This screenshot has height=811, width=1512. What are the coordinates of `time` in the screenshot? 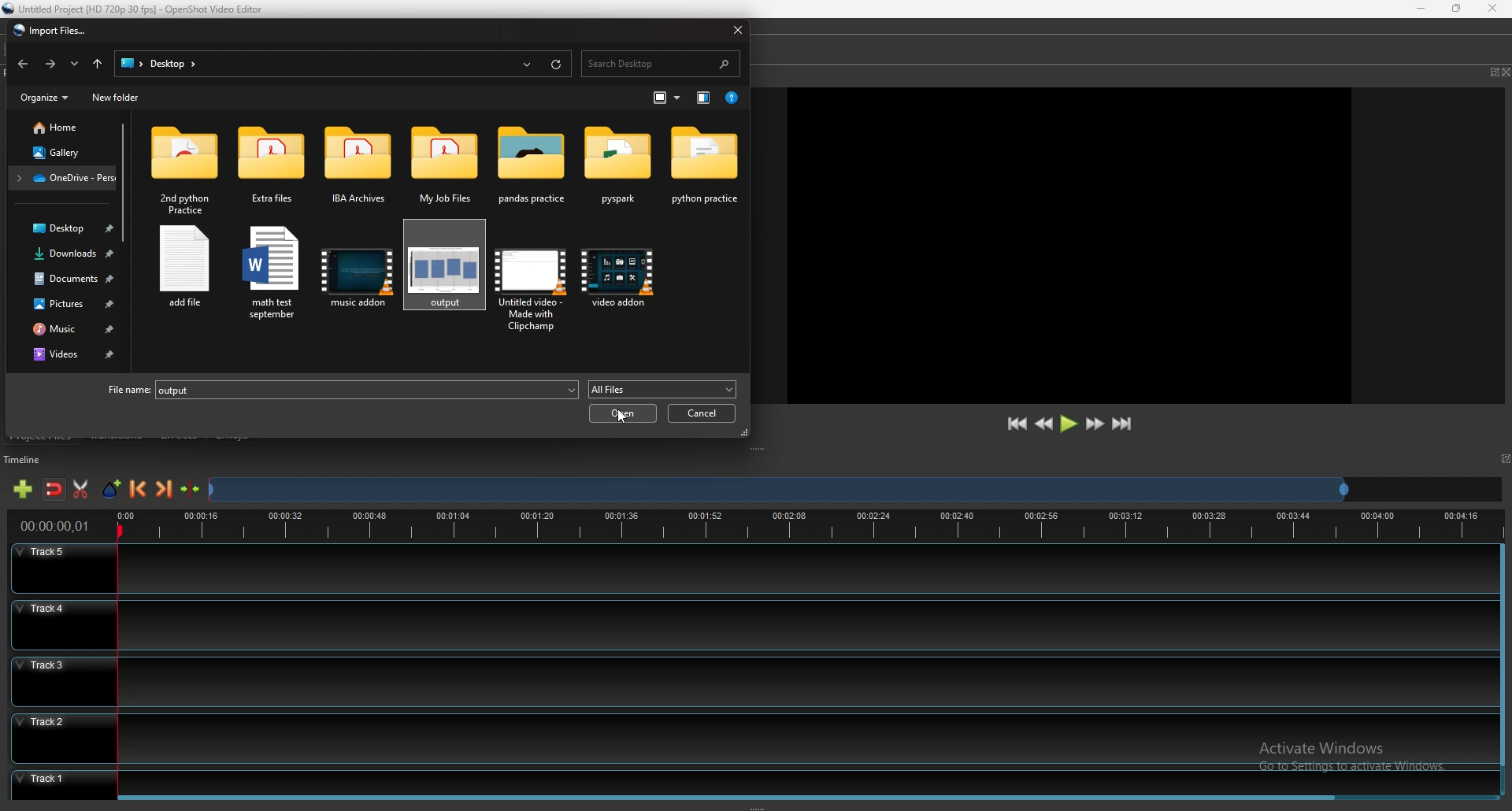 It's located at (55, 526).